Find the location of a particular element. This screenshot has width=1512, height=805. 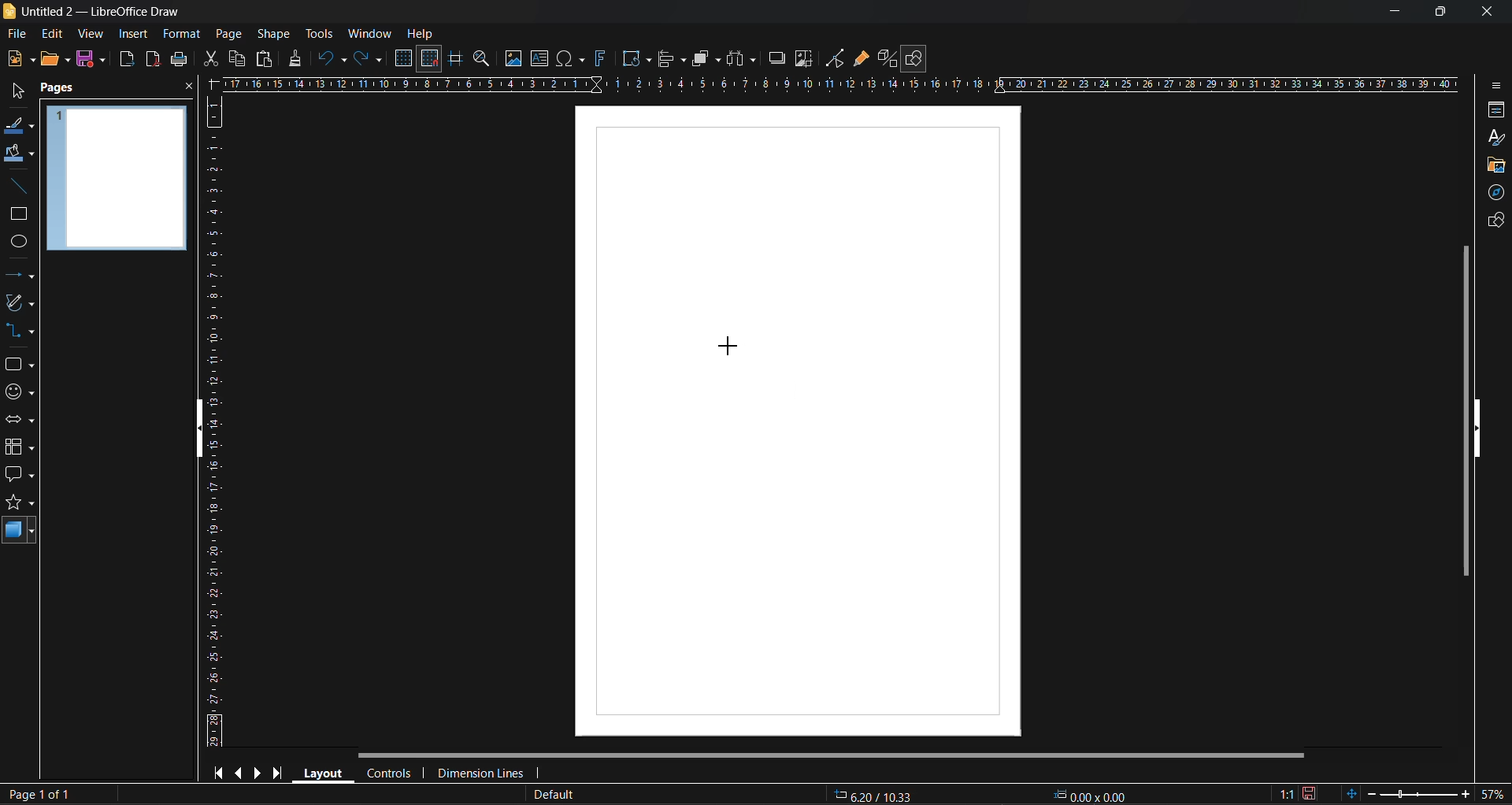

scaling factor is located at coordinates (1285, 791).